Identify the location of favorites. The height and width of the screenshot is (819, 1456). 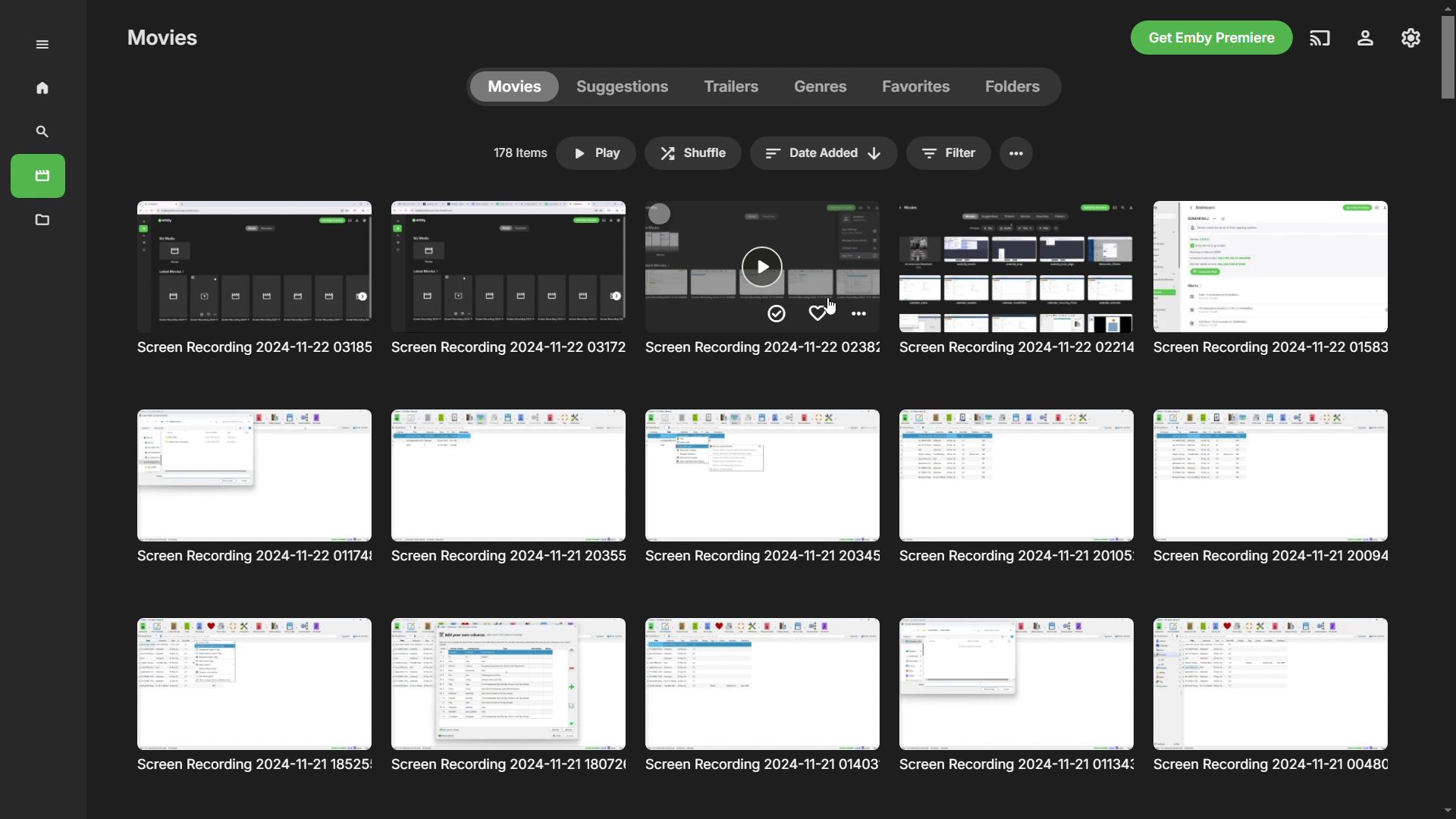
(917, 86).